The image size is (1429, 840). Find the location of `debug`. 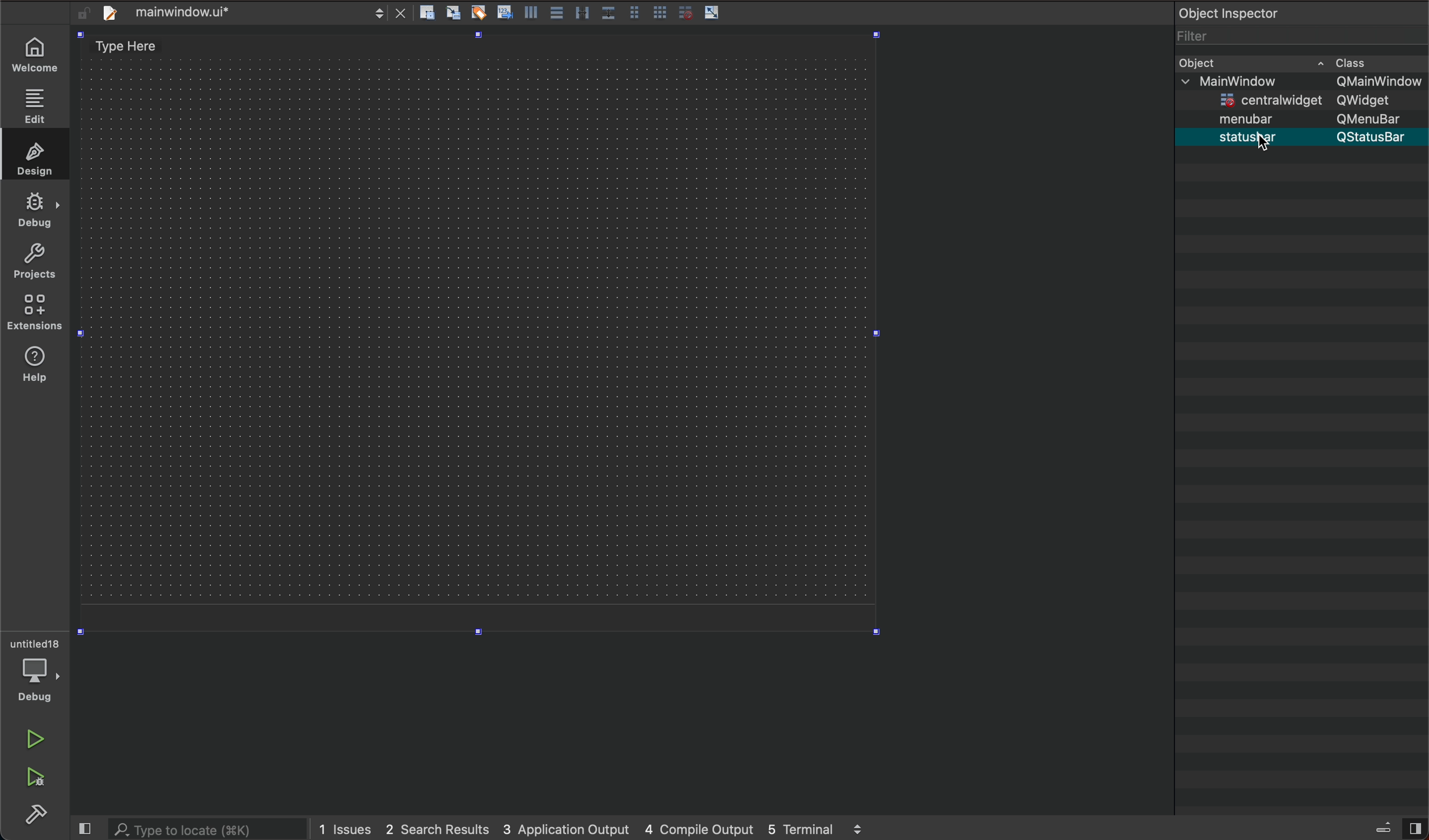

debug is located at coordinates (34, 214).